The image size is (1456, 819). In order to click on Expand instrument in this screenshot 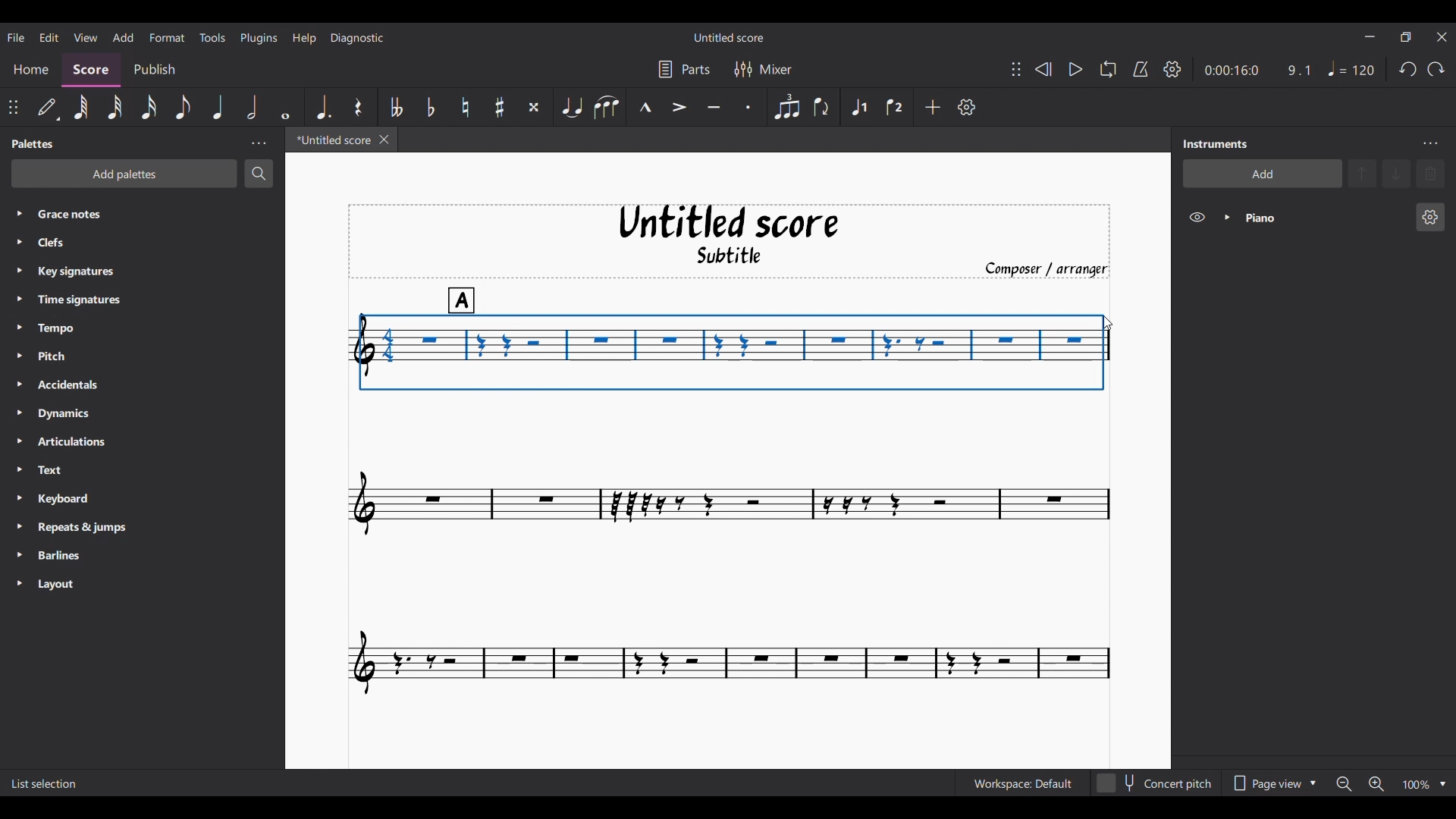, I will do `click(1227, 218)`.